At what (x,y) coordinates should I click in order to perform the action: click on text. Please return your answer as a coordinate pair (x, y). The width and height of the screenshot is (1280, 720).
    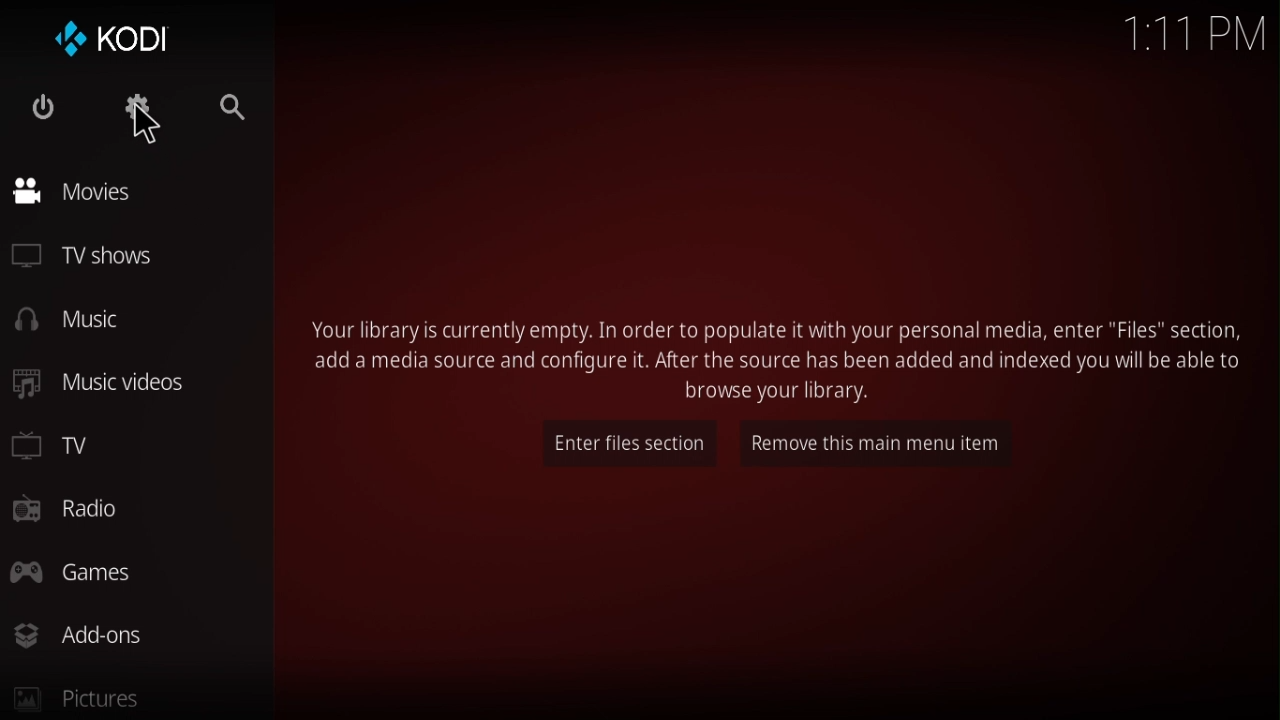
    Looking at the image, I should click on (780, 357).